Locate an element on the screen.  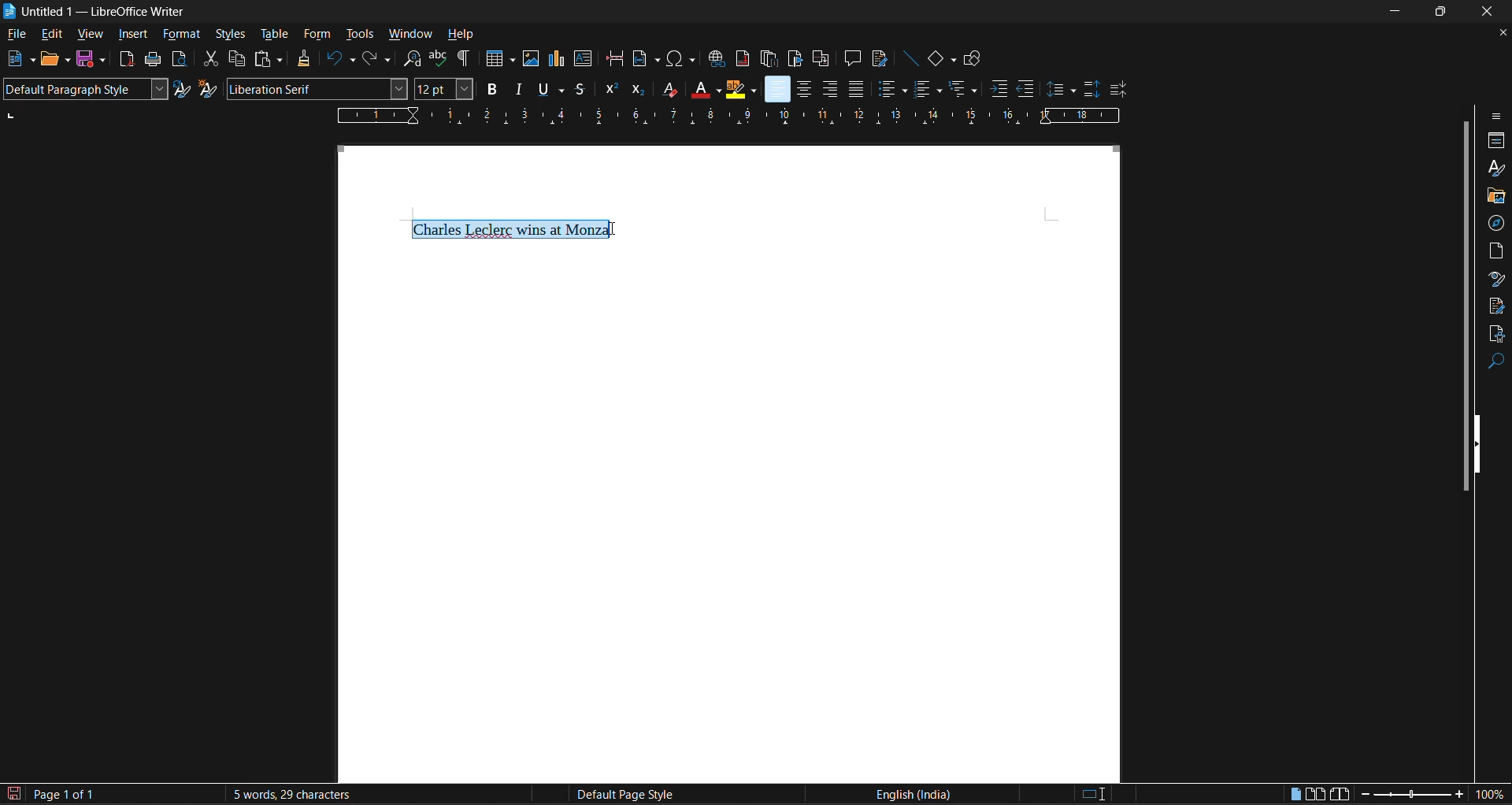
minimize is located at coordinates (1397, 9).